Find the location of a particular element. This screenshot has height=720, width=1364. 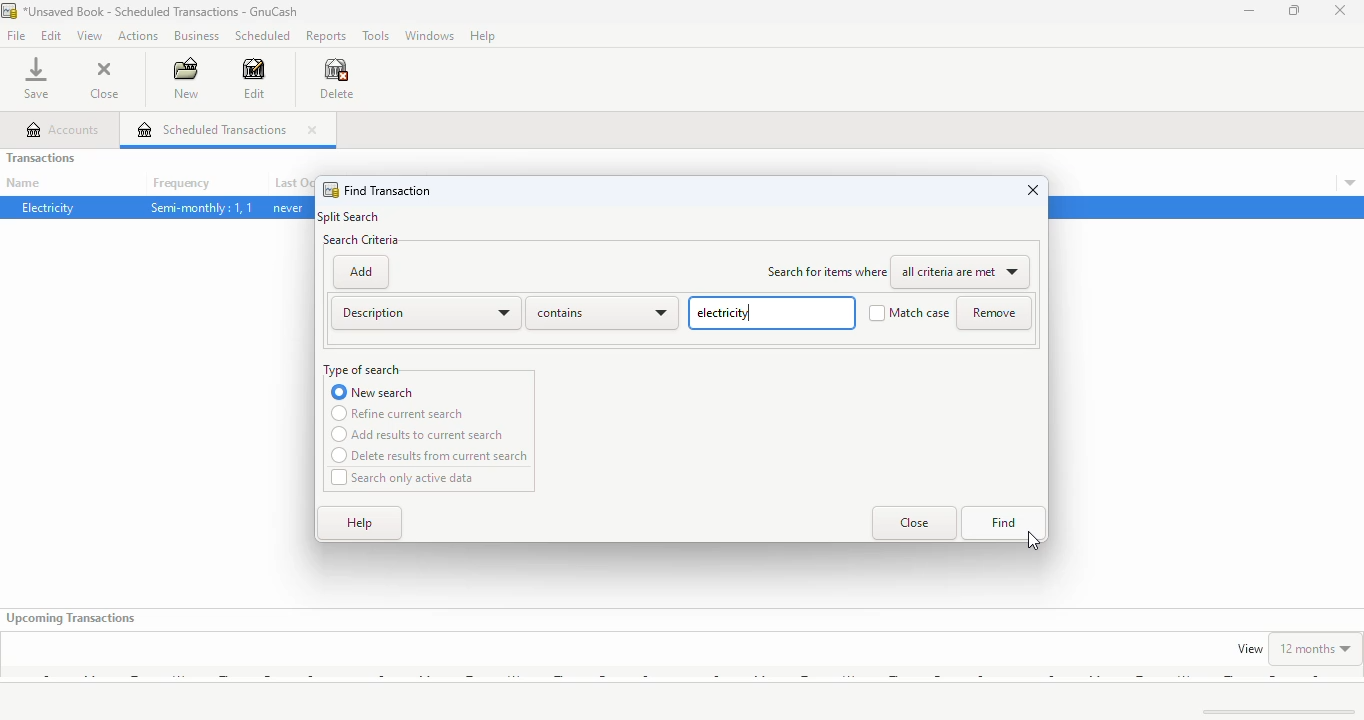

view is located at coordinates (90, 36).